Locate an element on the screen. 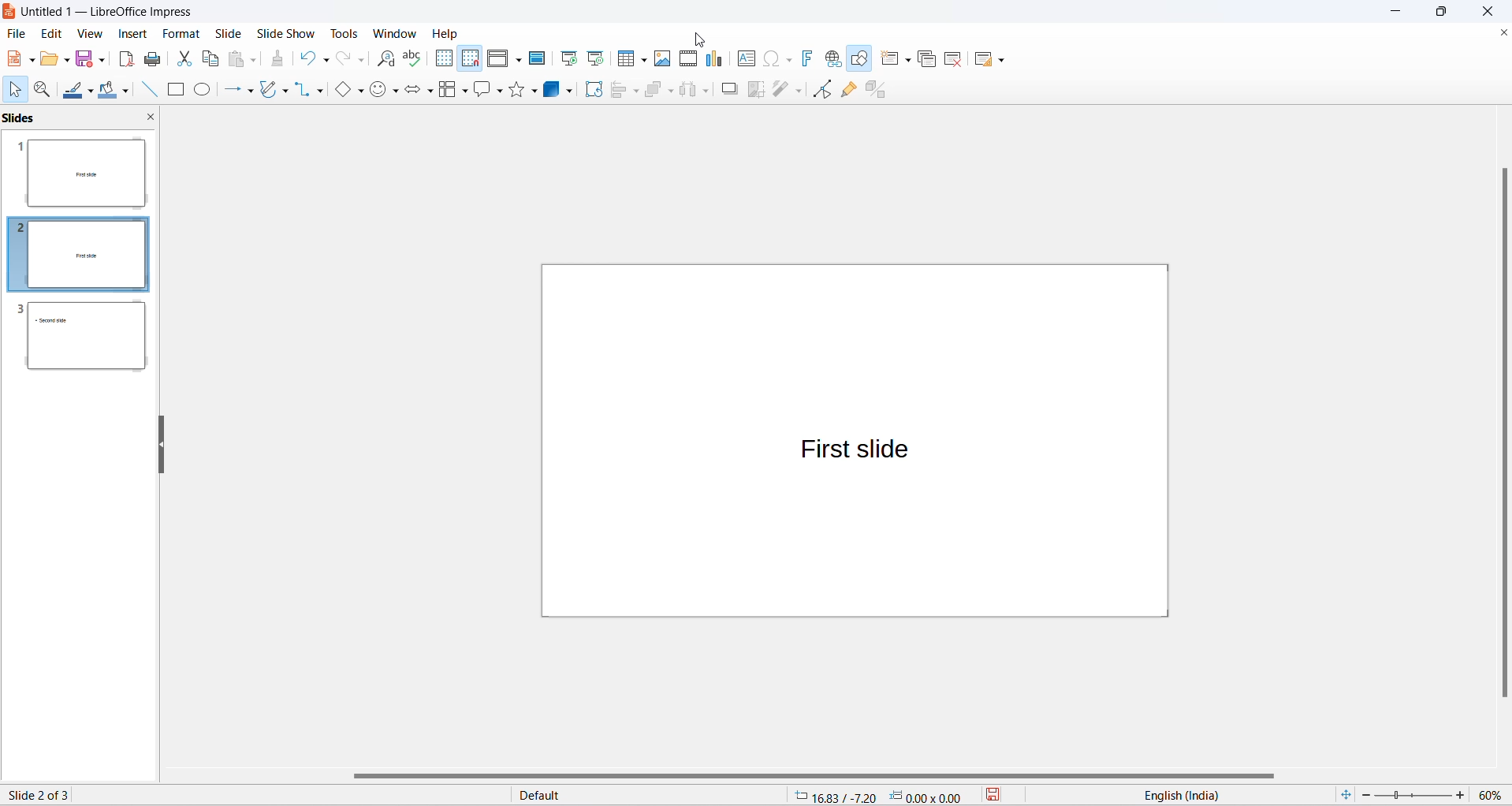  redo is located at coordinates (344, 58).